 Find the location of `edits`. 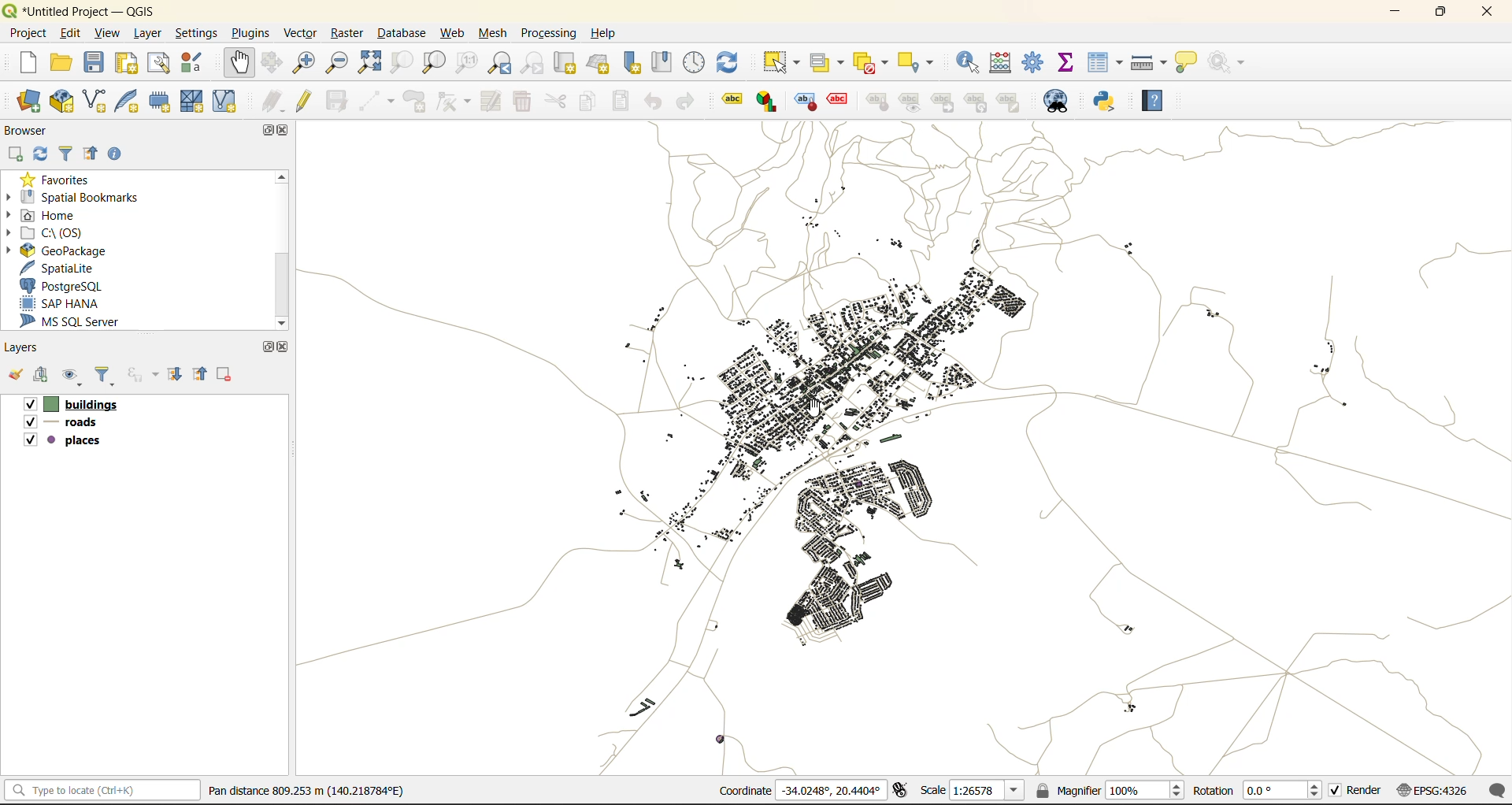

edits is located at coordinates (273, 99).